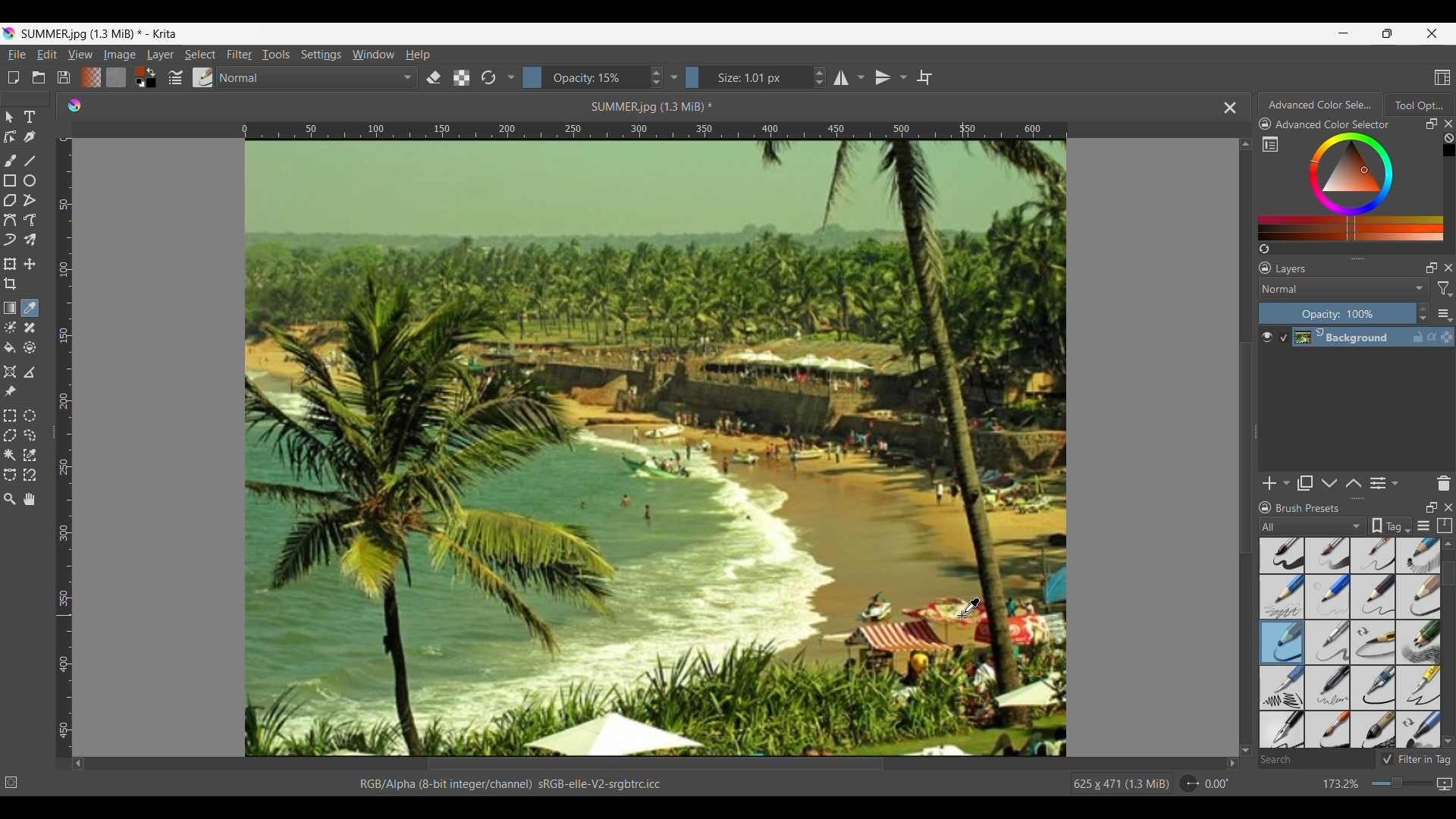 The width and height of the screenshot is (1456, 819). I want to click on View or change layer properties, so click(1378, 483).